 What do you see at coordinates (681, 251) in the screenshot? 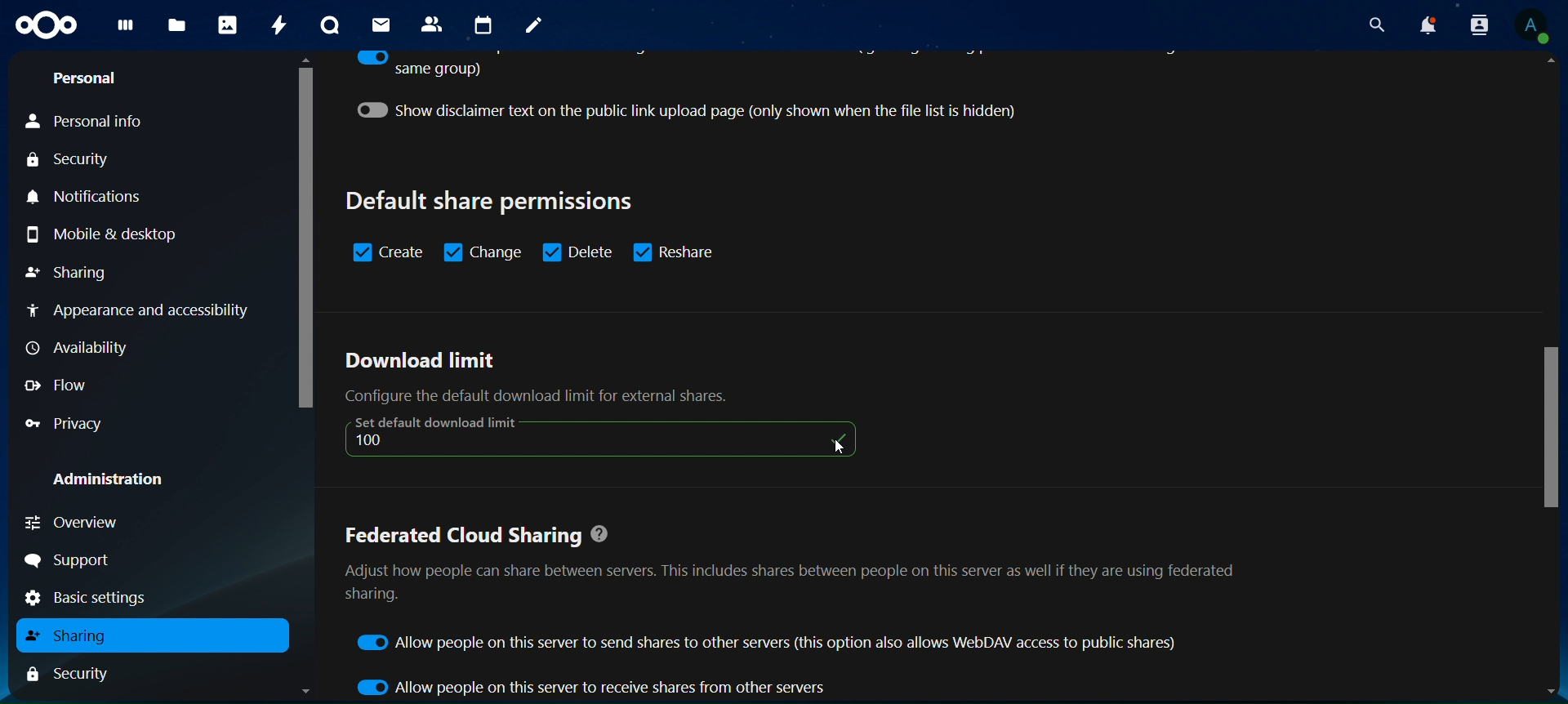
I see `reshare` at bounding box center [681, 251].